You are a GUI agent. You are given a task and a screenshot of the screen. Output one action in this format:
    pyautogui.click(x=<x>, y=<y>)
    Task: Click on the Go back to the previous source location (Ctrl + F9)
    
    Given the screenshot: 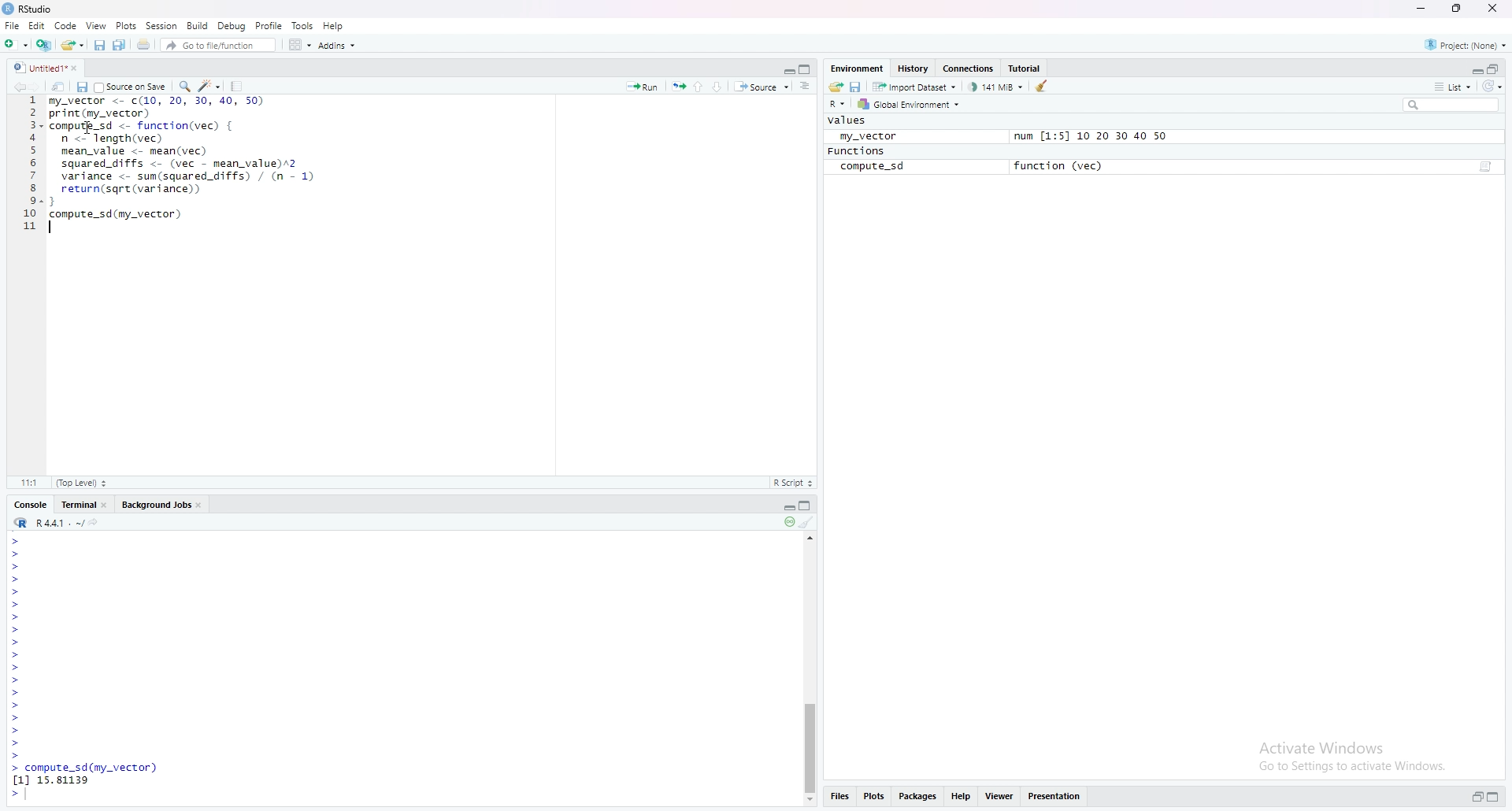 What is the action you would take?
    pyautogui.click(x=24, y=87)
    